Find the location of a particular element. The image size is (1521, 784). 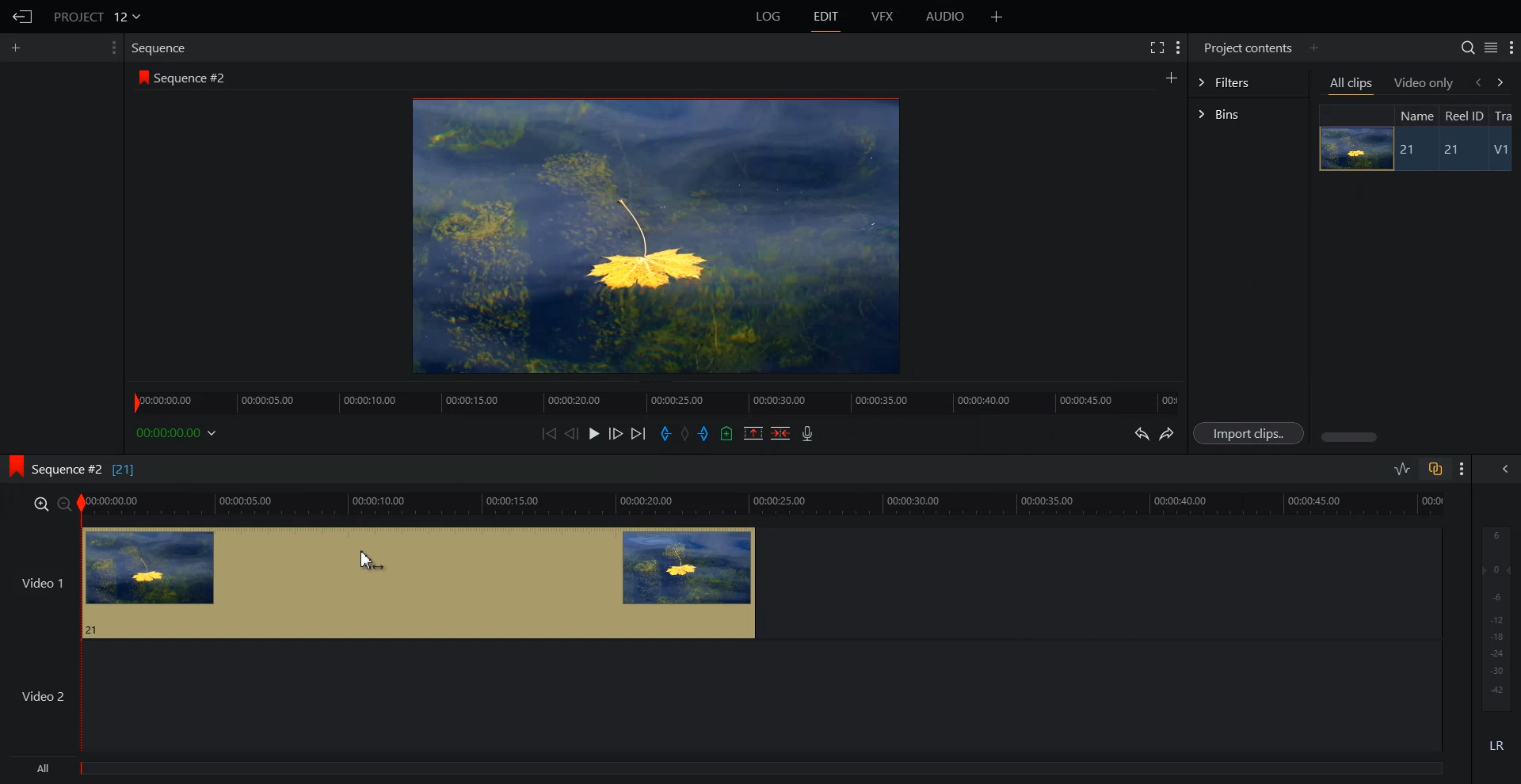

Play is located at coordinates (596, 433).